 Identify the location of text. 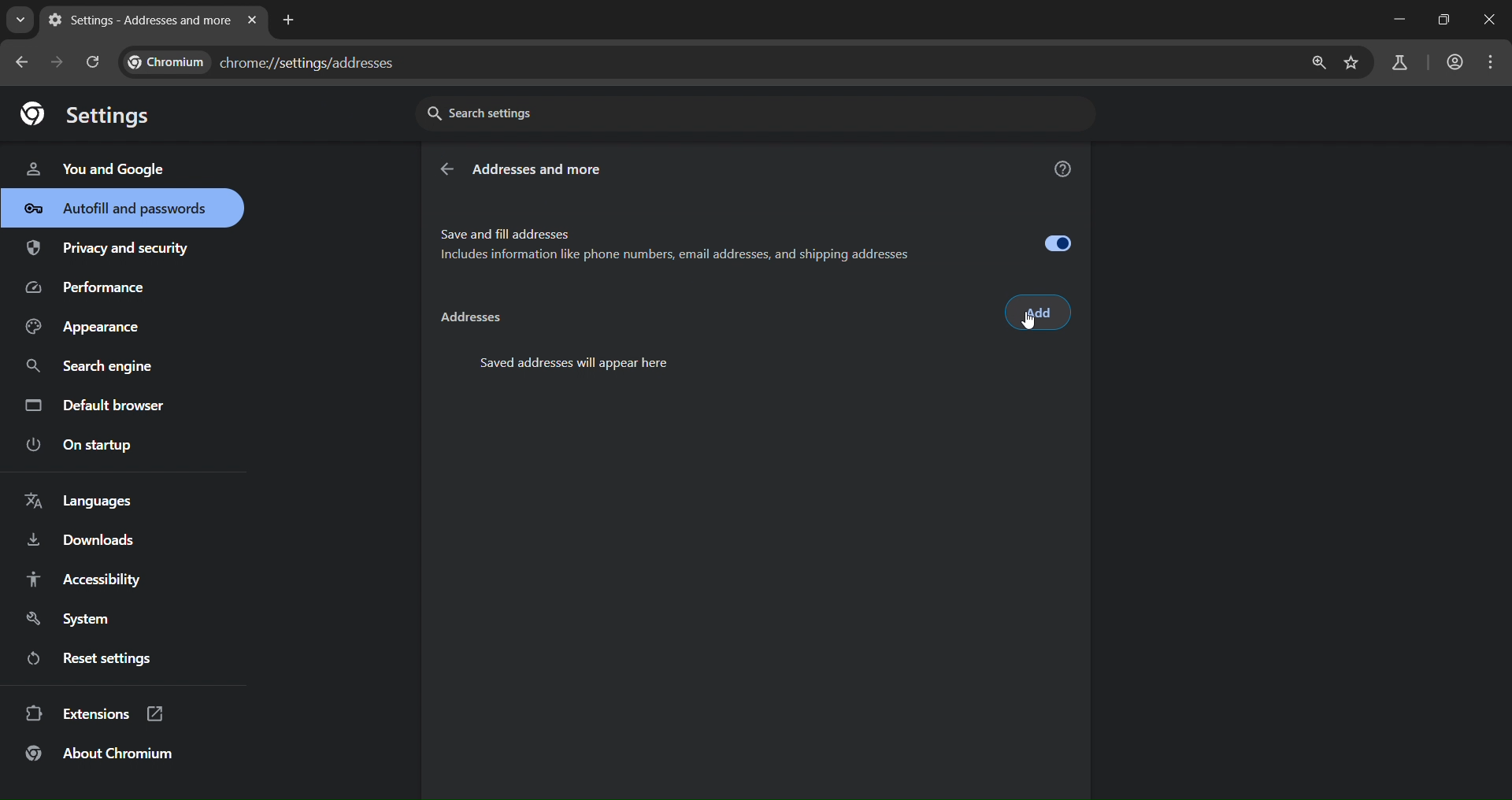
(577, 361).